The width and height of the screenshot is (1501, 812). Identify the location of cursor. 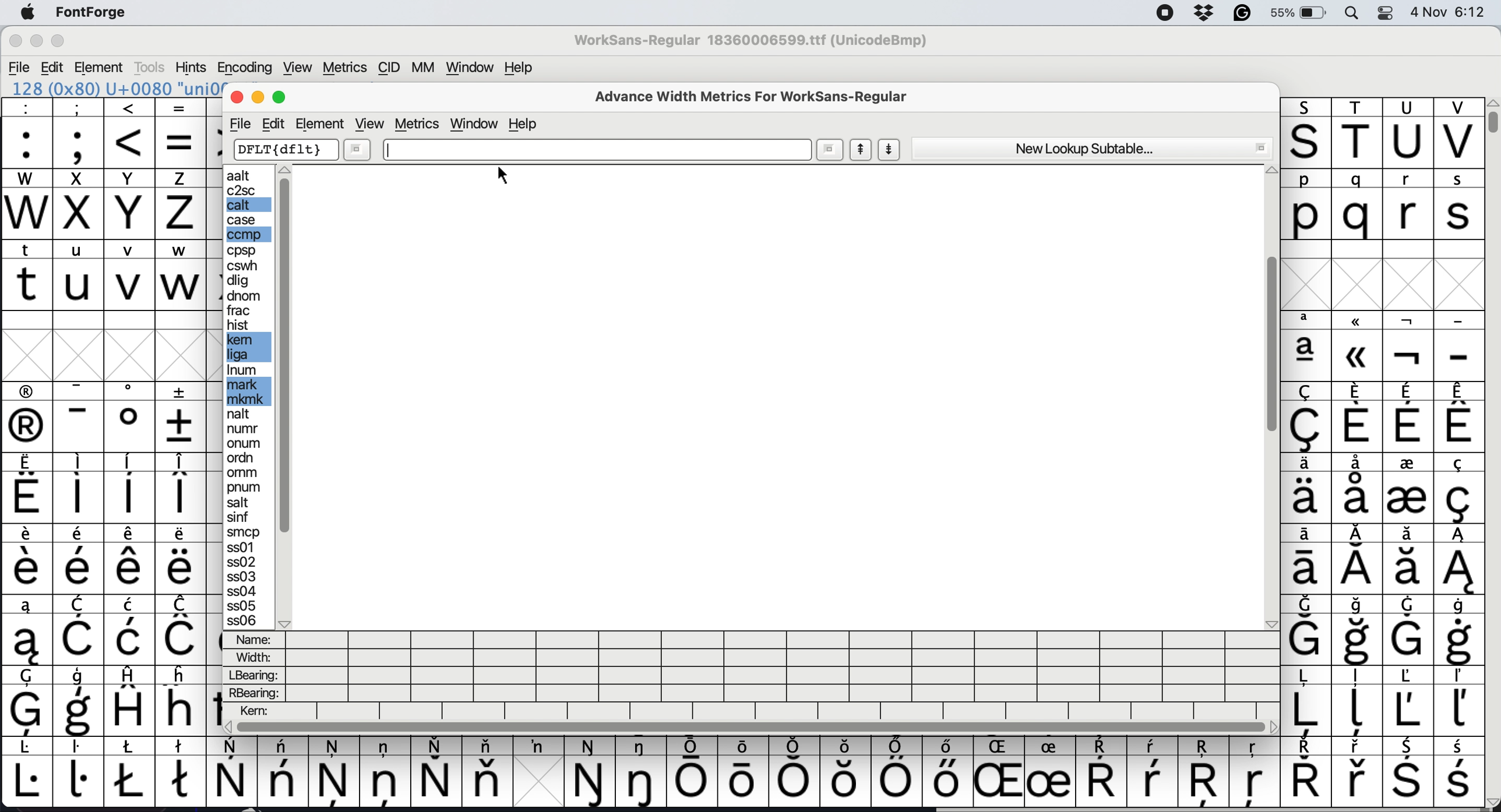
(503, 175).